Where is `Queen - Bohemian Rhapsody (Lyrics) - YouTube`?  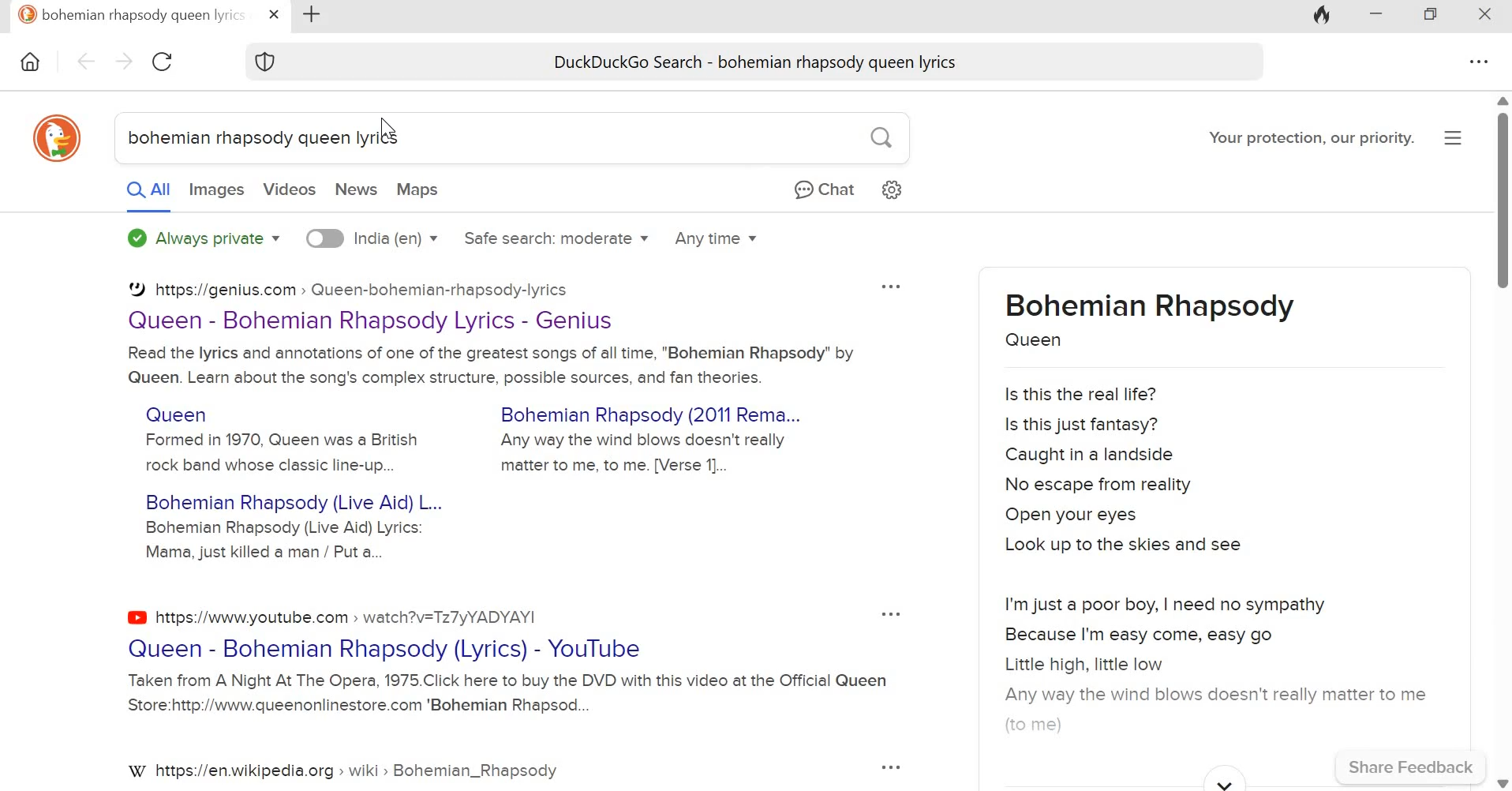
Queen - Bohemian Rhapsody (Lyrics) - YouTube is located at coordinates (389, 647).